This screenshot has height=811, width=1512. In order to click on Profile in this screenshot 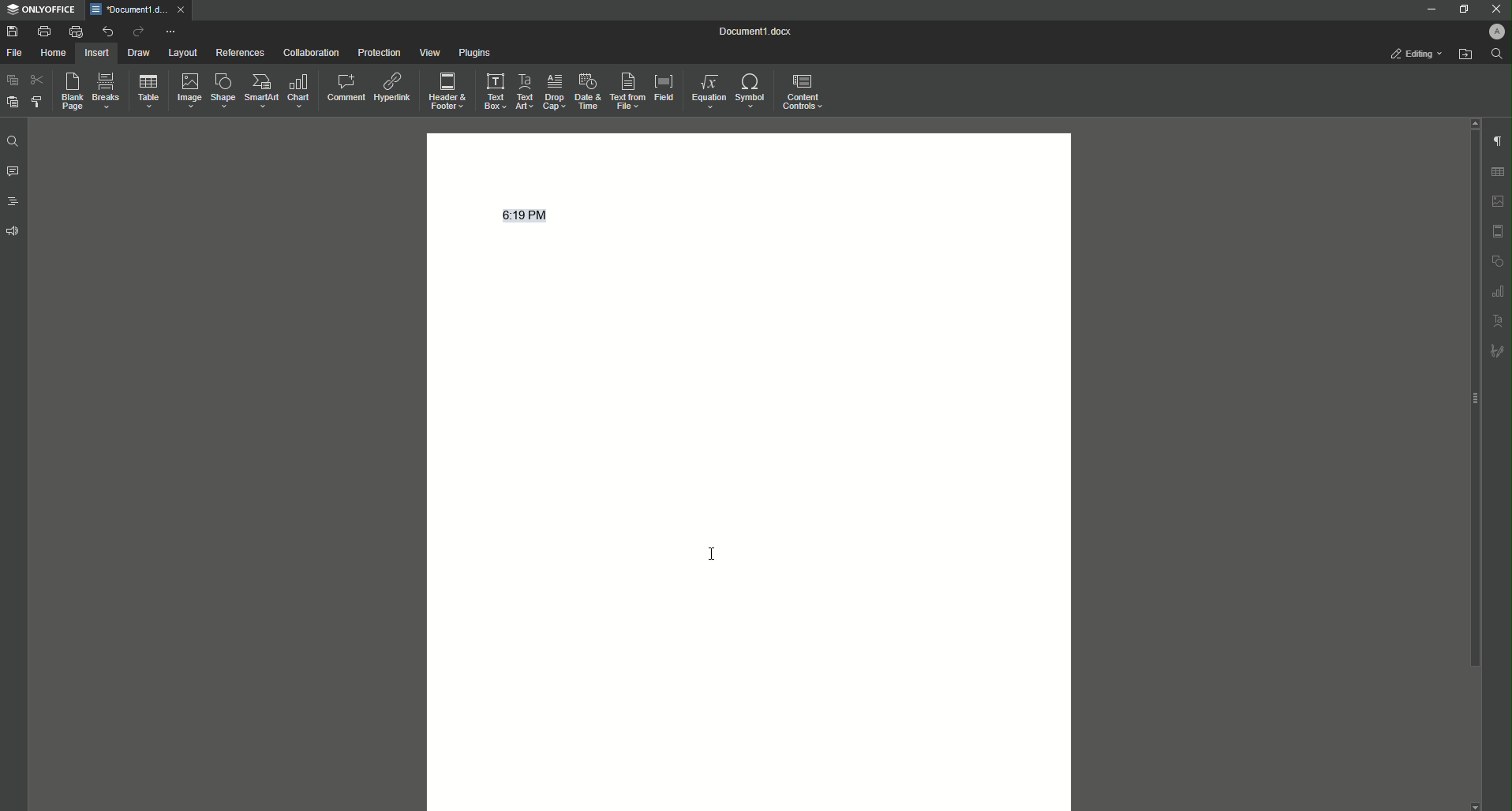, I will do `click(1495, 31)`.